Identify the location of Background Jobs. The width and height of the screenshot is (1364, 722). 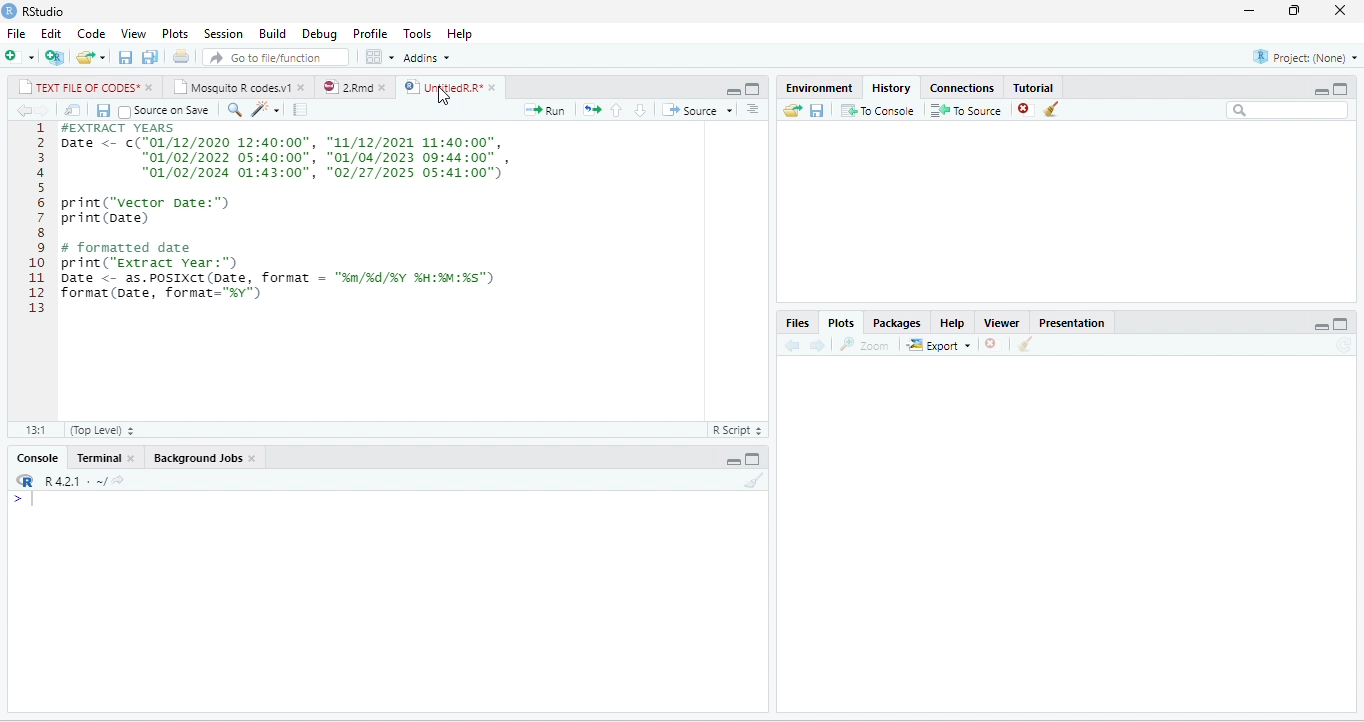
(196, 458).